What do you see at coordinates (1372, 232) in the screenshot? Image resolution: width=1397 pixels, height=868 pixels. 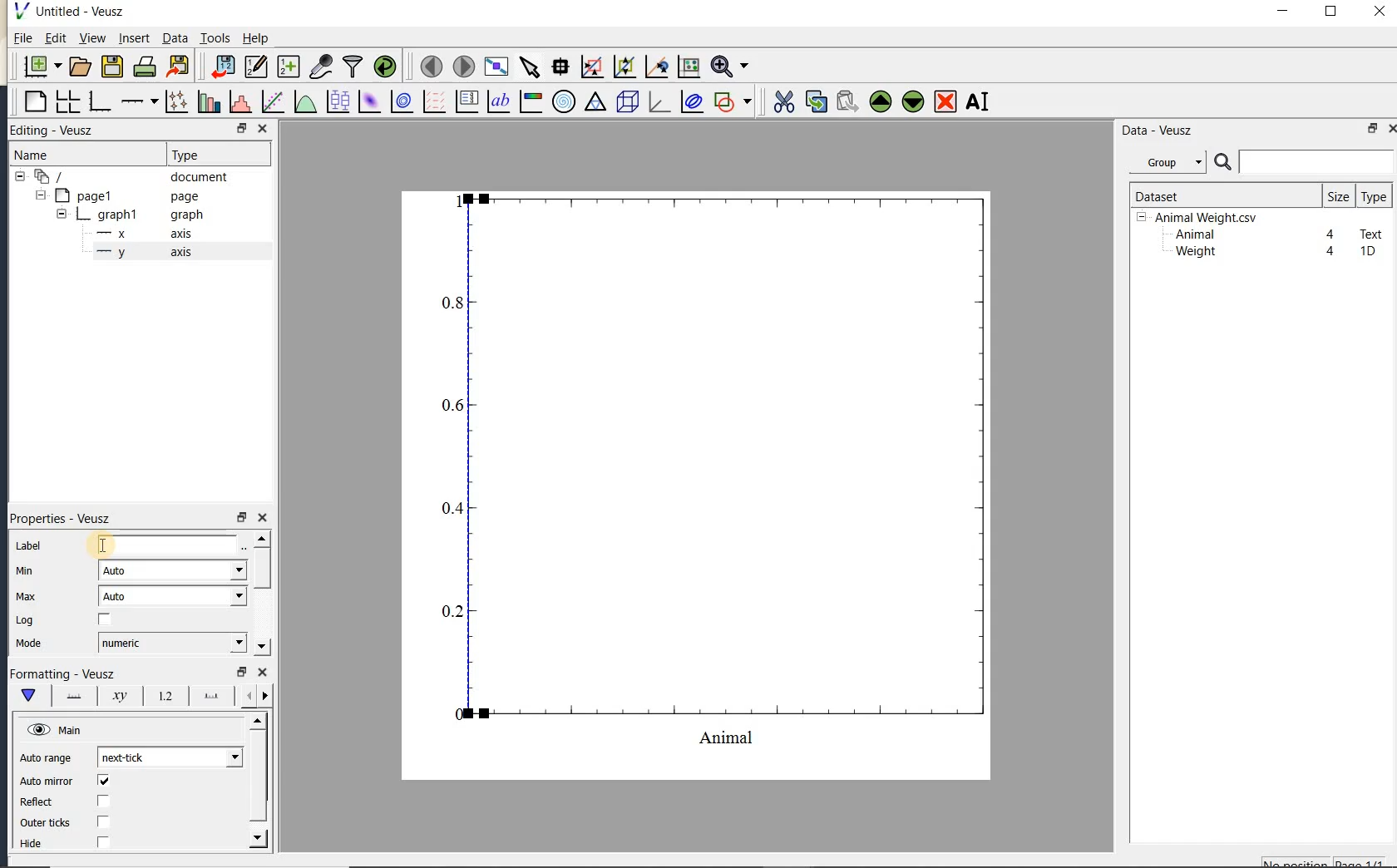 I see `Text` at bounding box center [1372, 232].